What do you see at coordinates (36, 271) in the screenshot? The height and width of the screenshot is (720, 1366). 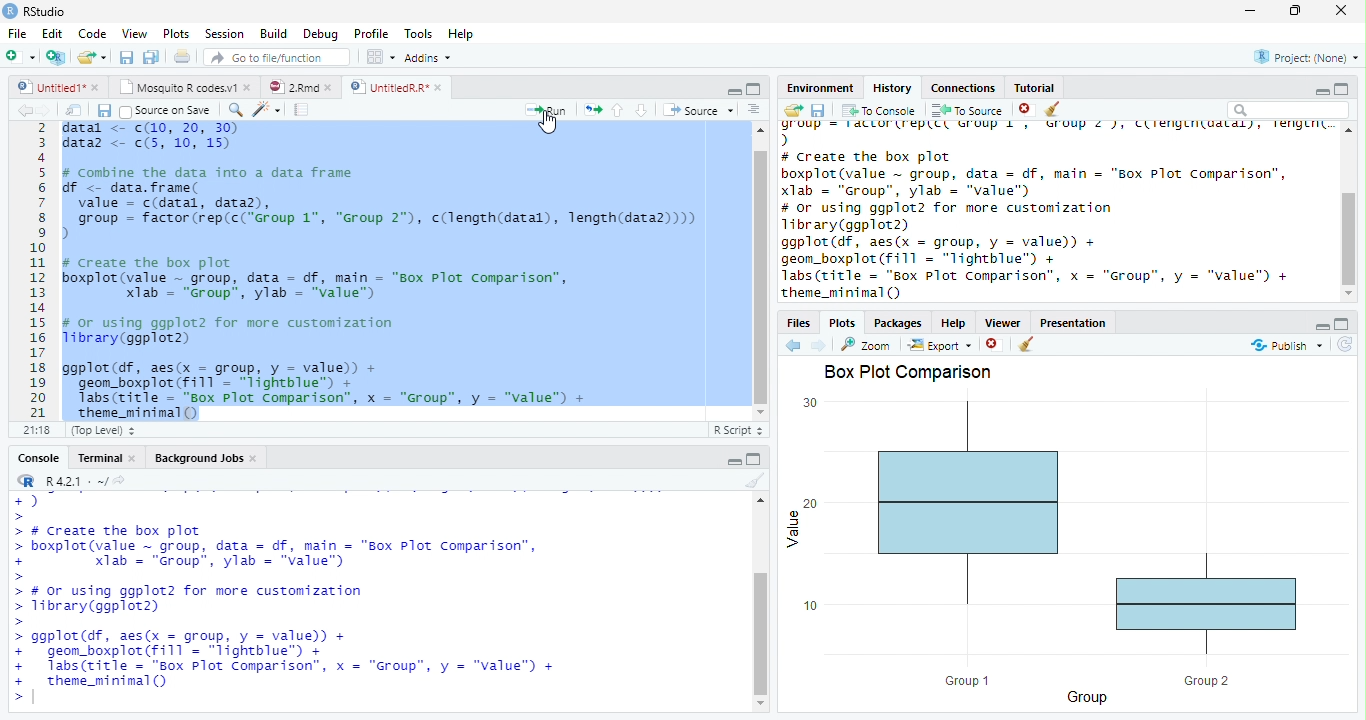 I see `Line numbers` at bounding box center [36, 271].